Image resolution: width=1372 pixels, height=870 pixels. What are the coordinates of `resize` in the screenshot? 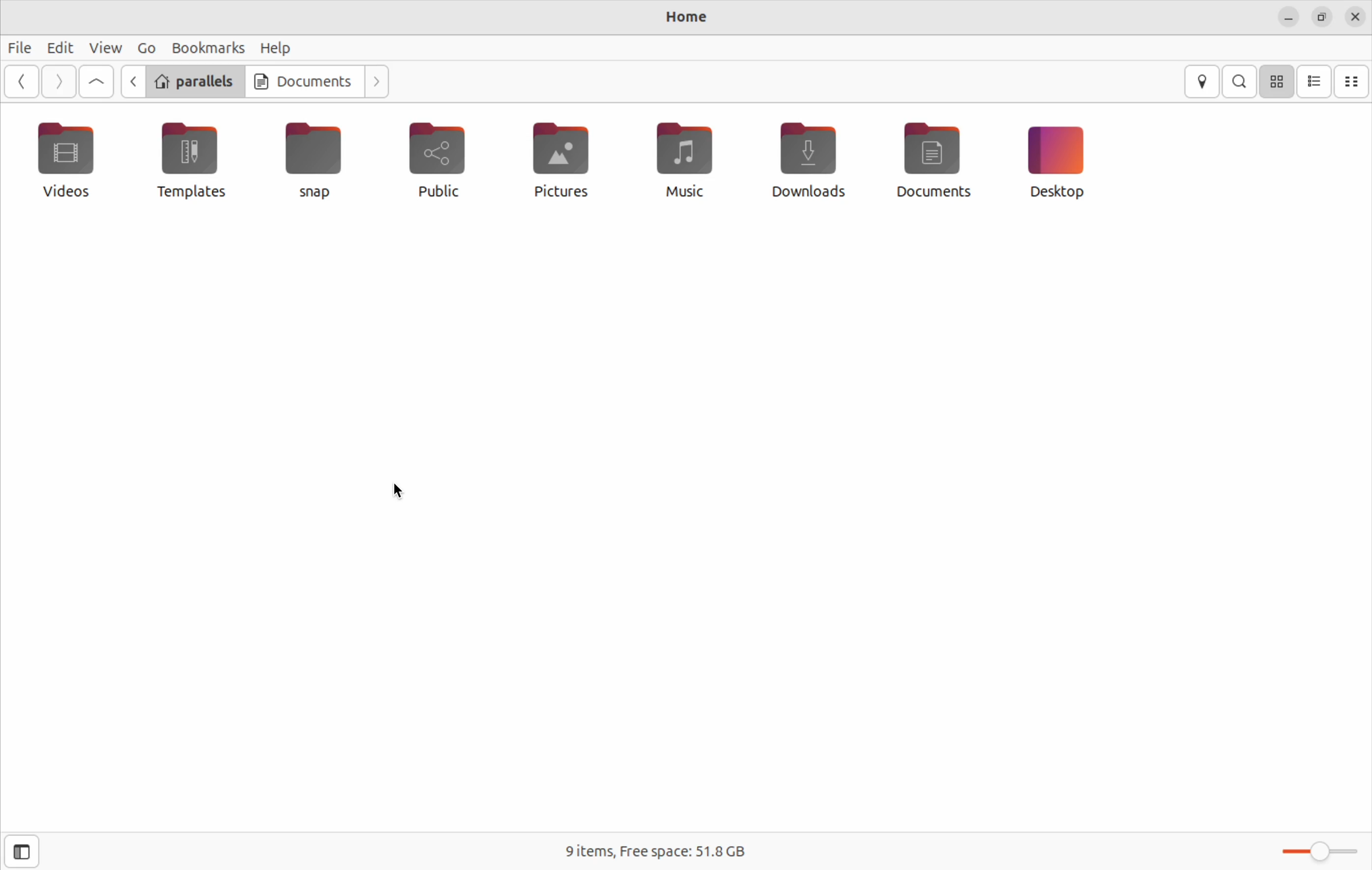 It's located at (1322, 18).